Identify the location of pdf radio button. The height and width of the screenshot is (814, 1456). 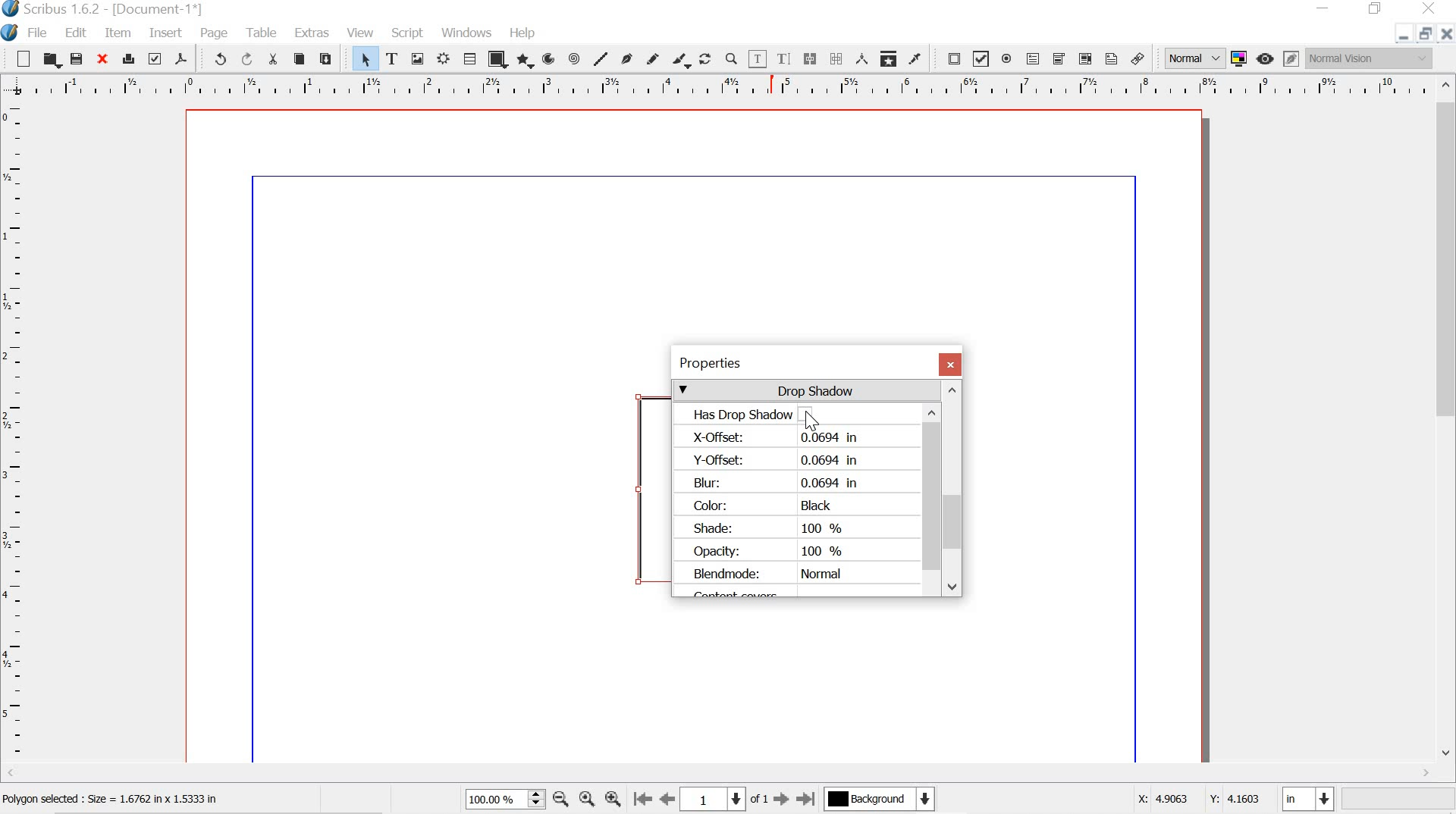
(1006, 61).